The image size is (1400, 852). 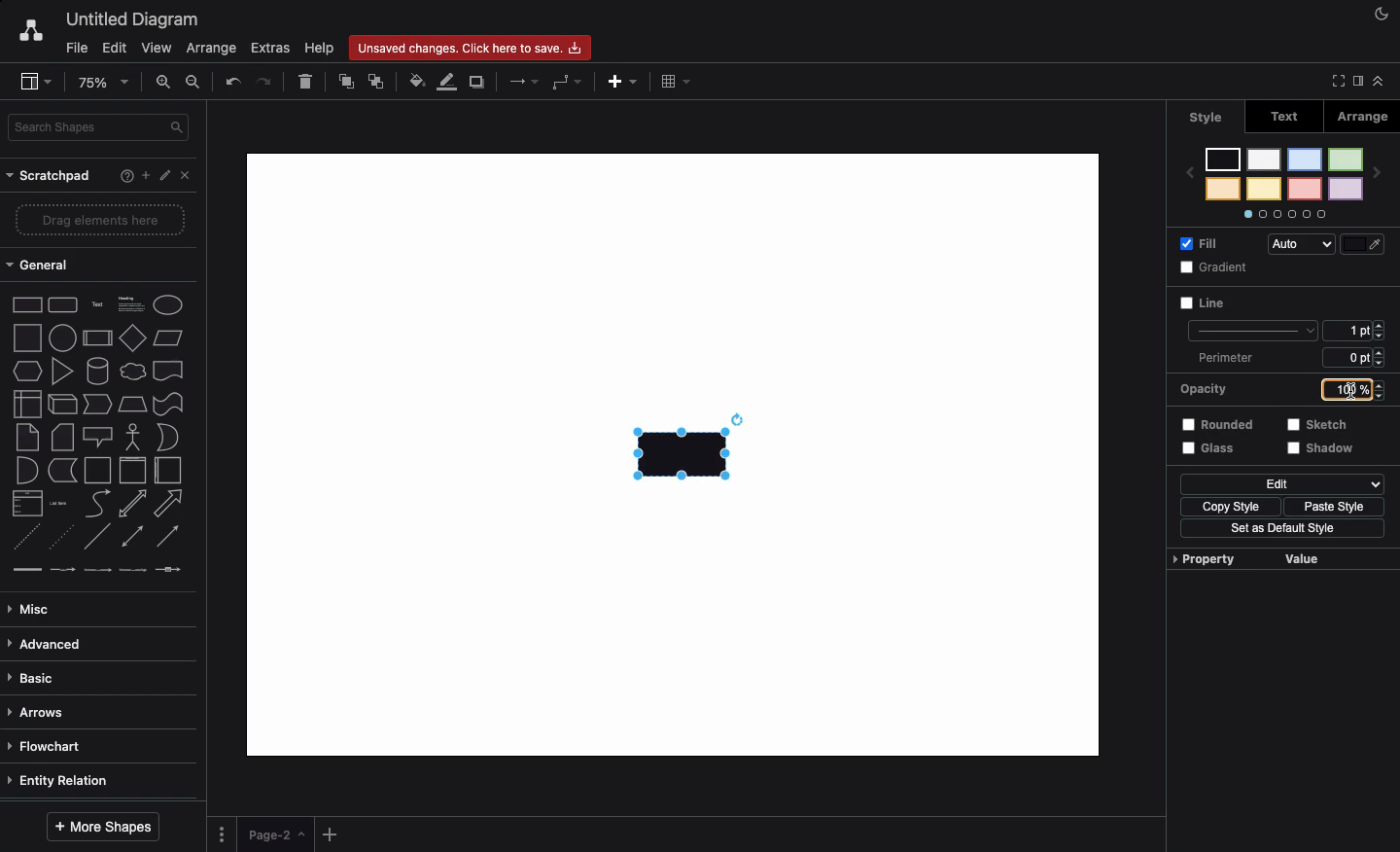 What do you see at coordinates (27, 306) in the screenshot?
I see `Rectangle ` at bounding box center [27, 306].